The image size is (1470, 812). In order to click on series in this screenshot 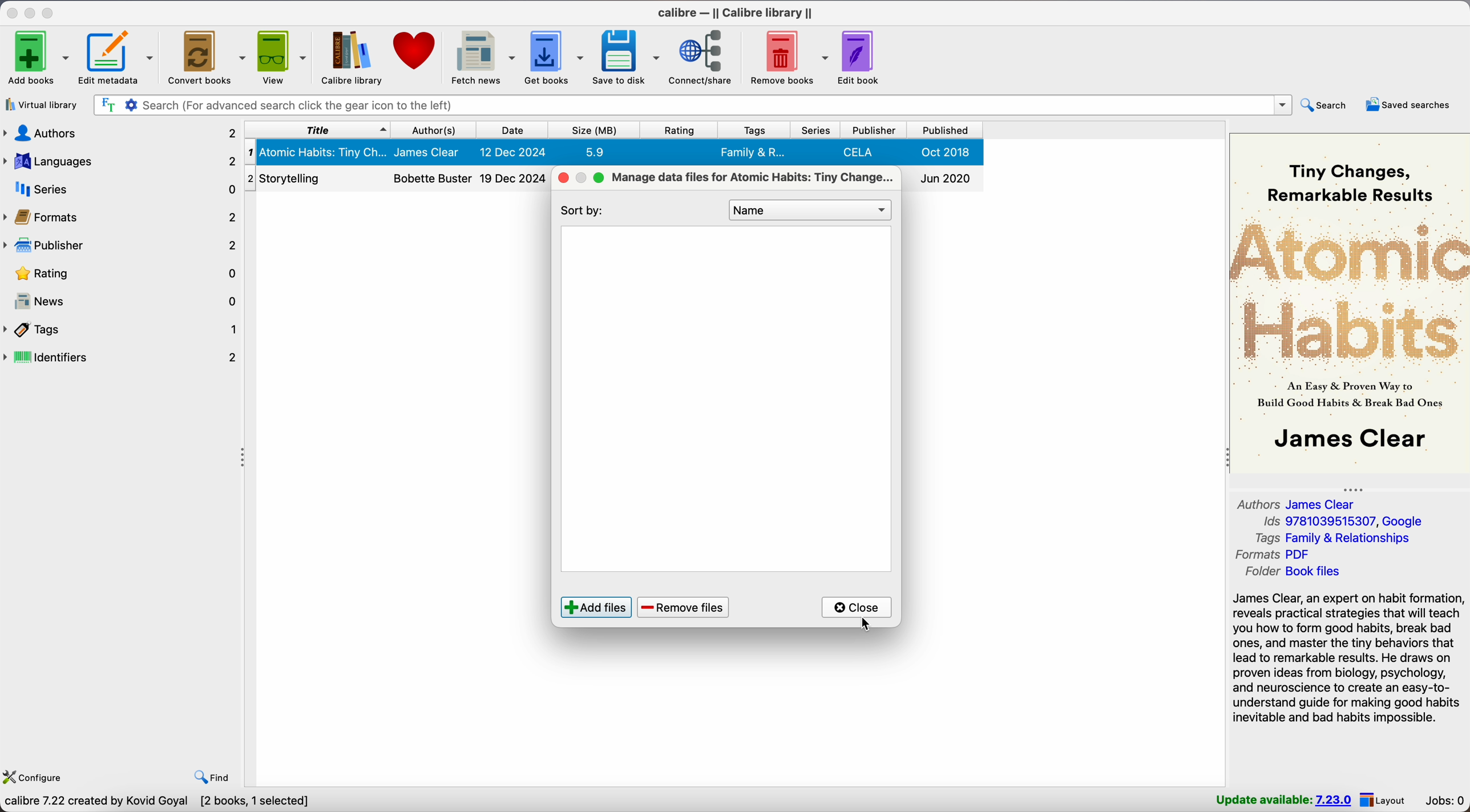, I will do `click(122, 188)`.